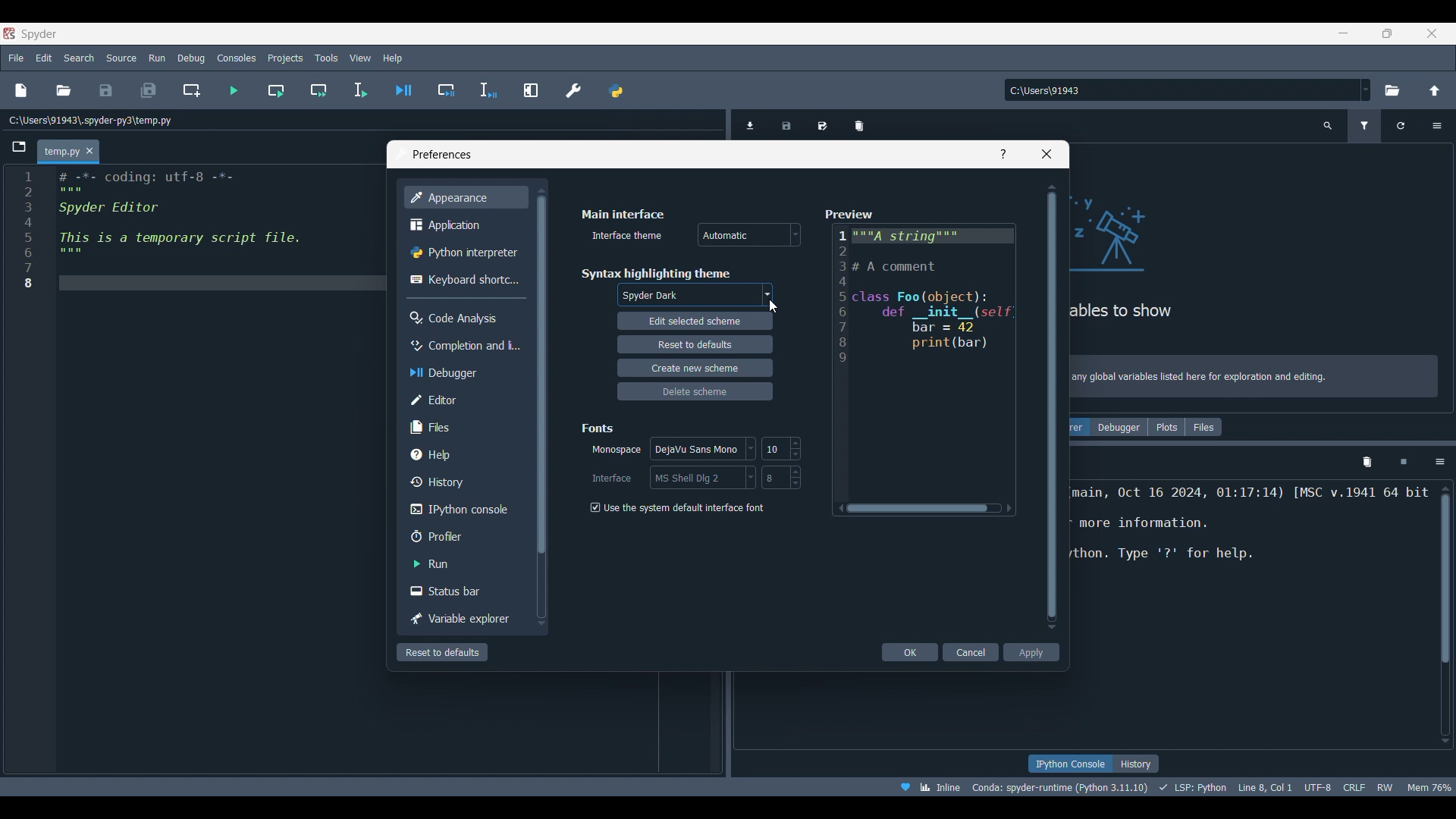  What do you see at coordinates (442, 652) in the screenshot?
I see `Reset to defaults` at bounding box center [442, 652].